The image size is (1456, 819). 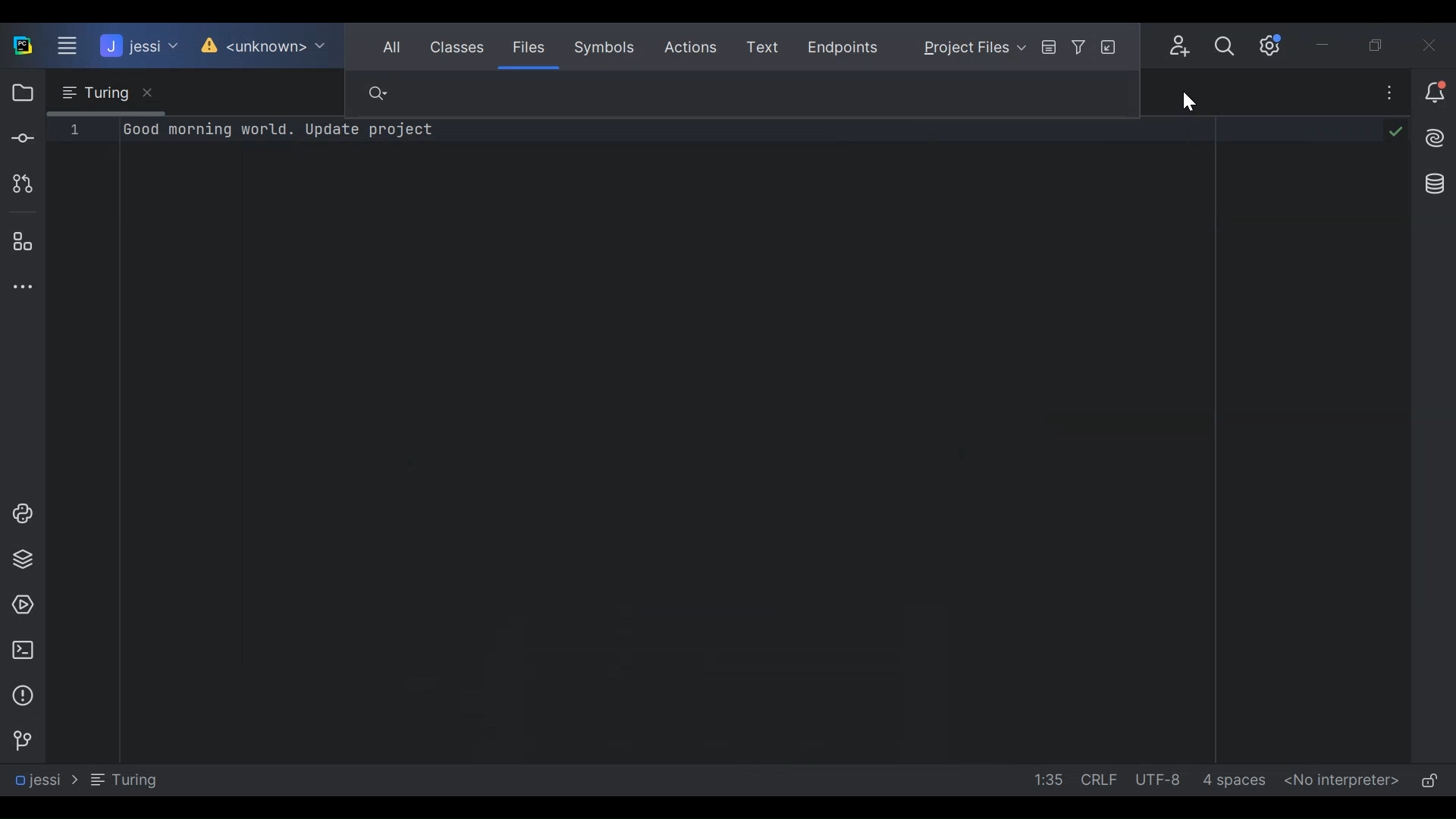 What do you see at coordinates (1180, 45) in the screenshot?
I see `Code With Me` at bounding box center [1180, 45].